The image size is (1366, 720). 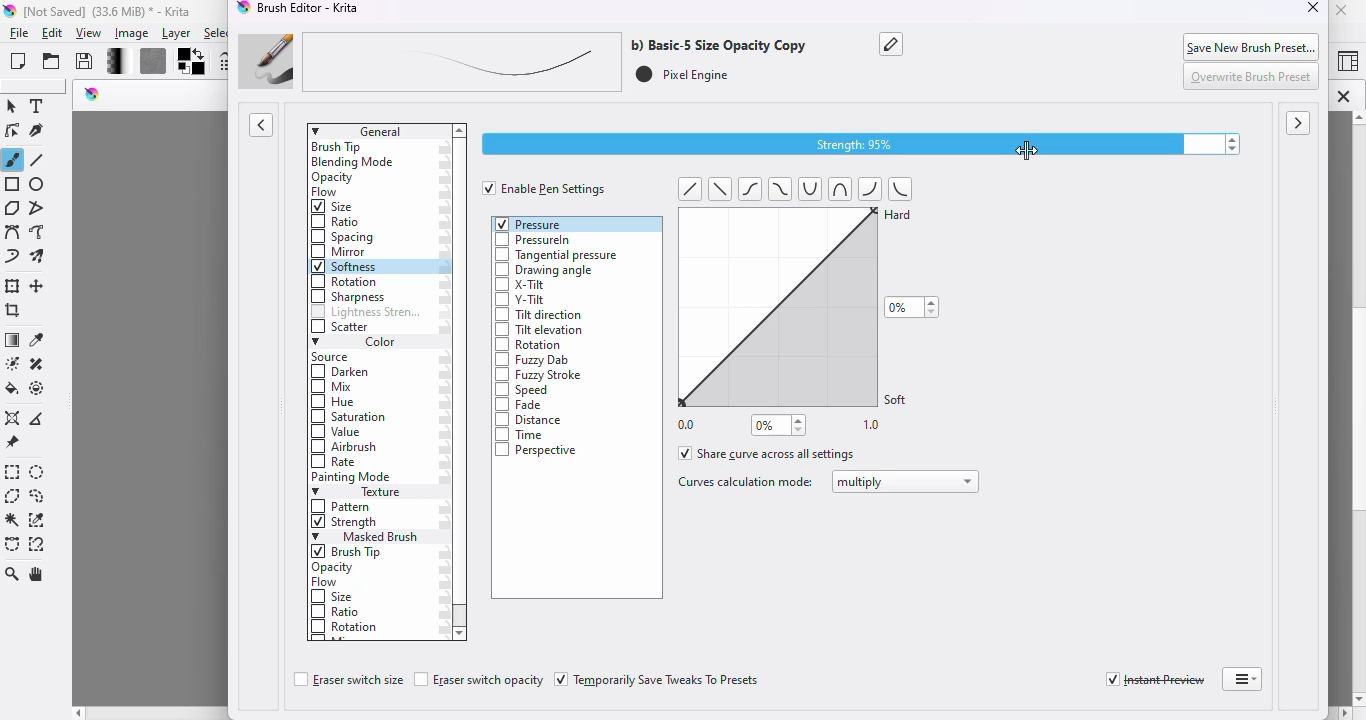 I want to click on curve, so click(x=811, y=190).